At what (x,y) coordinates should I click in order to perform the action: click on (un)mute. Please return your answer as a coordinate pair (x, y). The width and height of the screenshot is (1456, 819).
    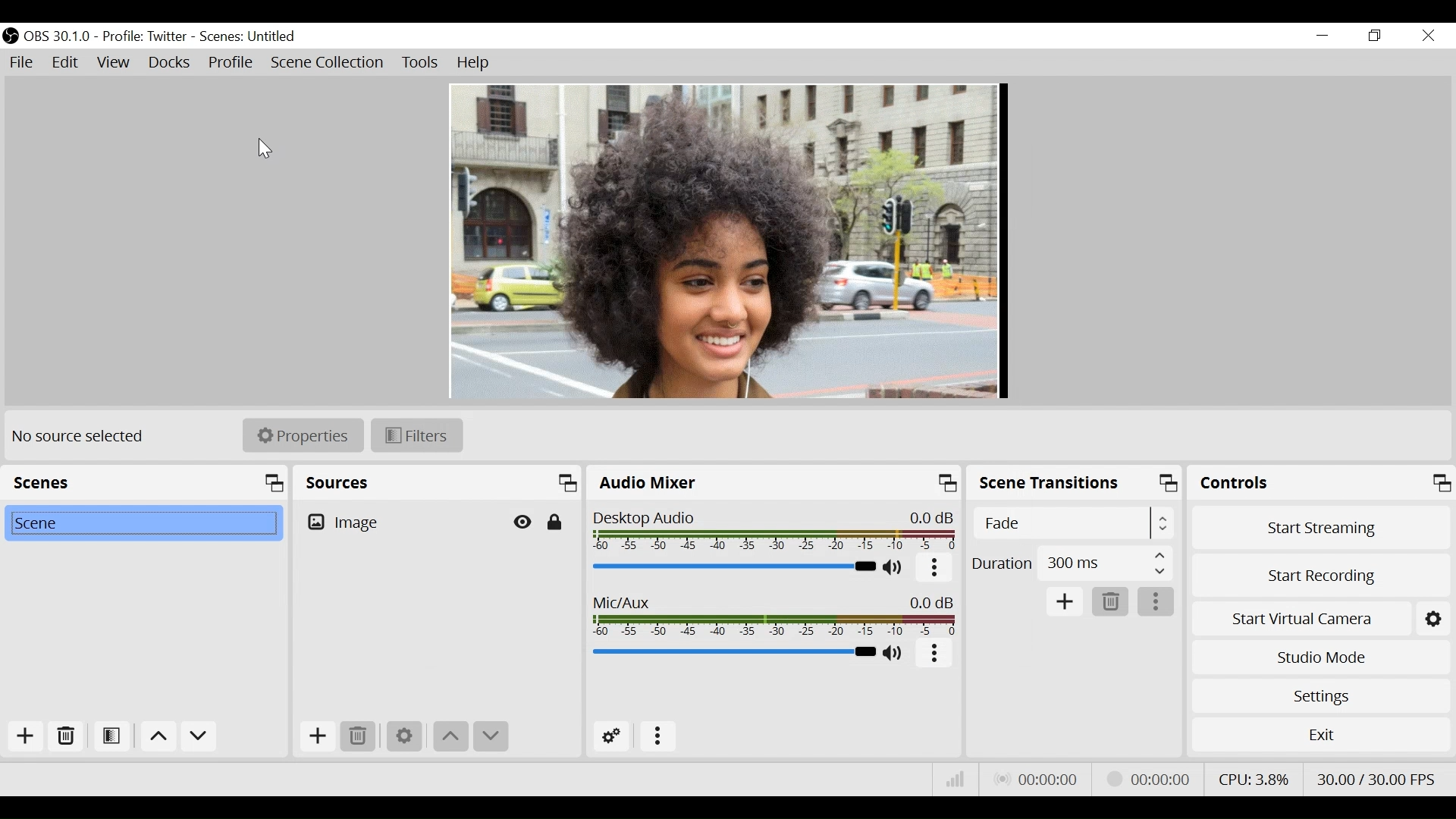
    Looking at the image, I should click on (897, 654).